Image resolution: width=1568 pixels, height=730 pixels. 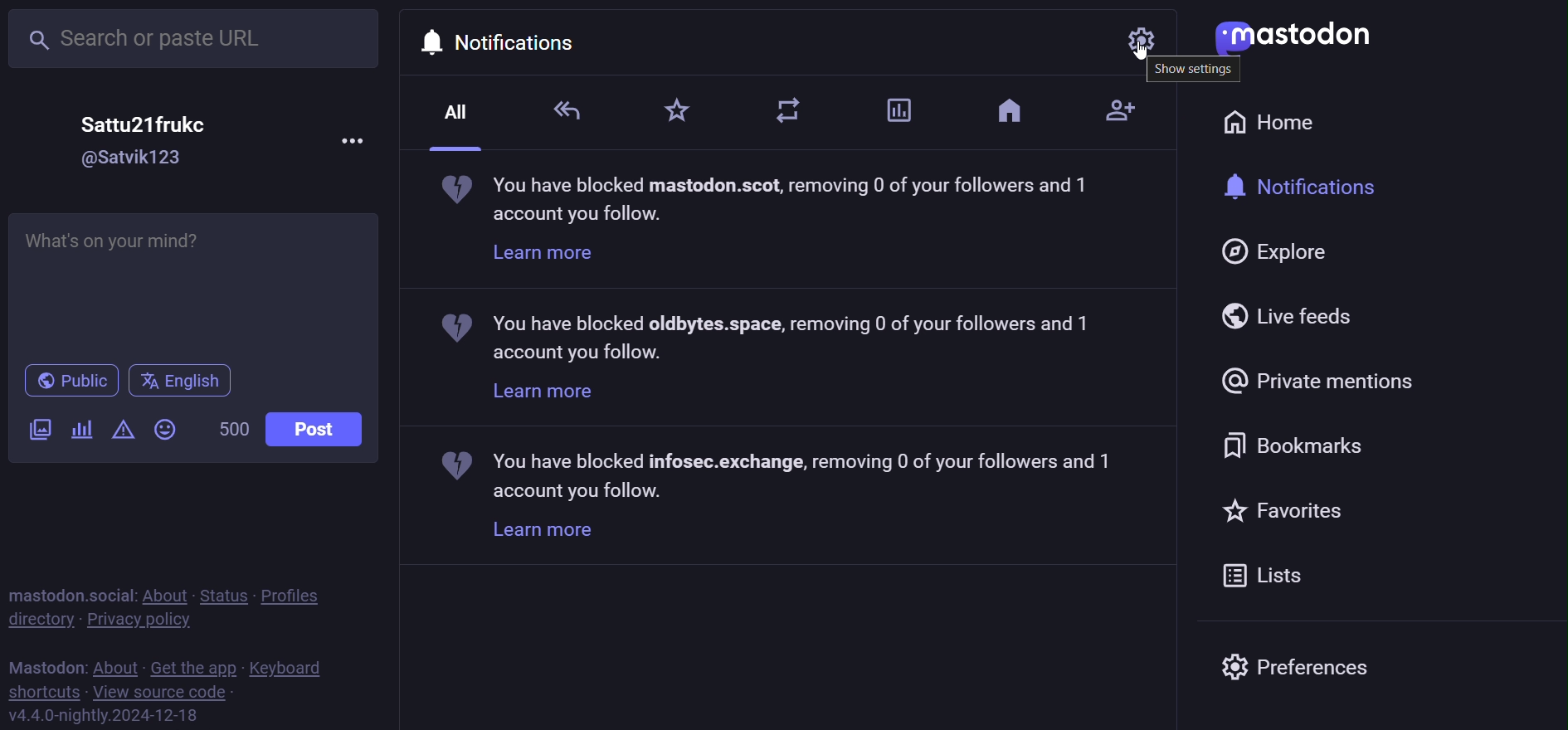 I want to click on favorite, so click(x=1285, y=509).